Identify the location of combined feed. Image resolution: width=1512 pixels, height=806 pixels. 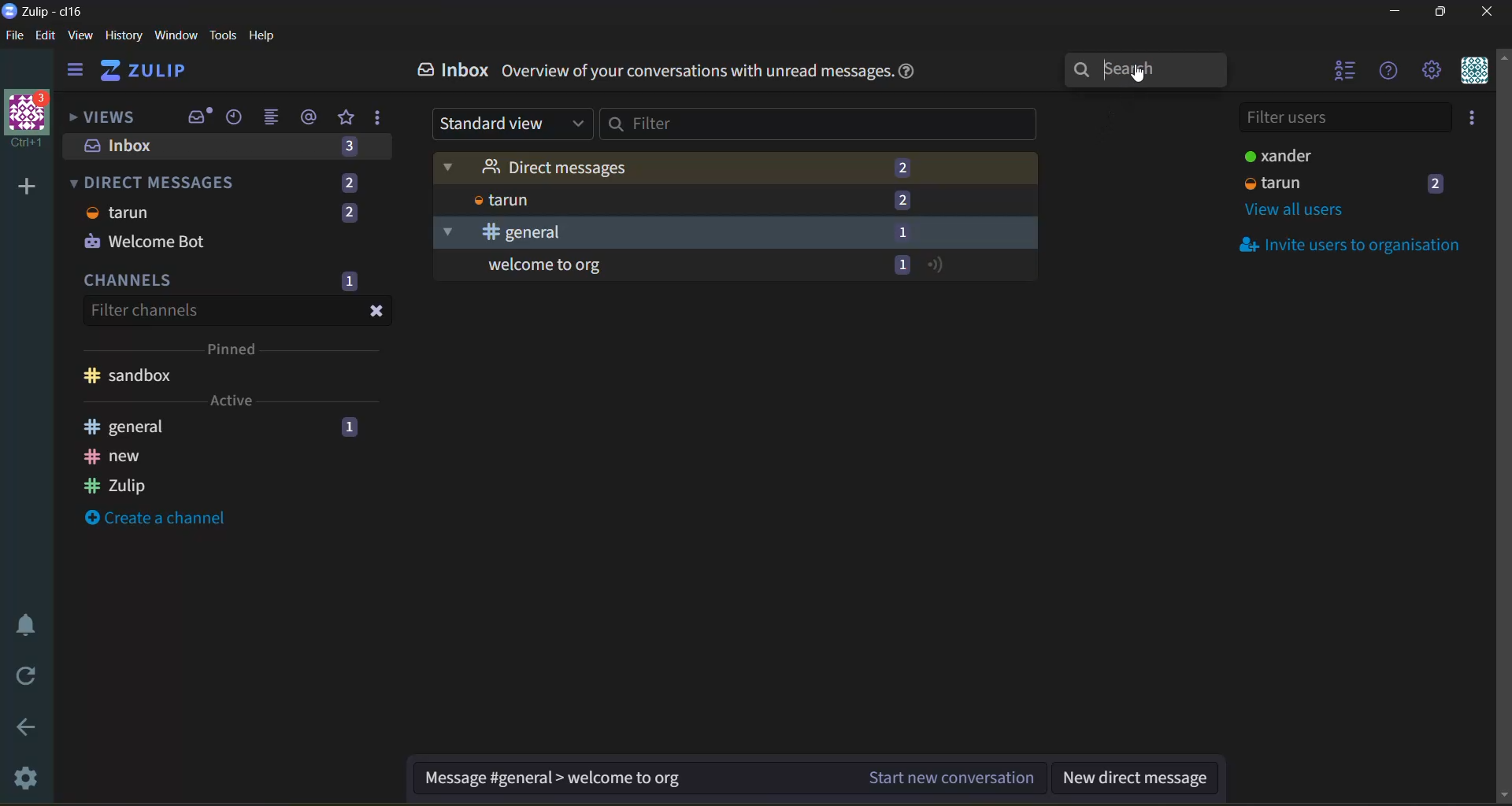
(274, 118).